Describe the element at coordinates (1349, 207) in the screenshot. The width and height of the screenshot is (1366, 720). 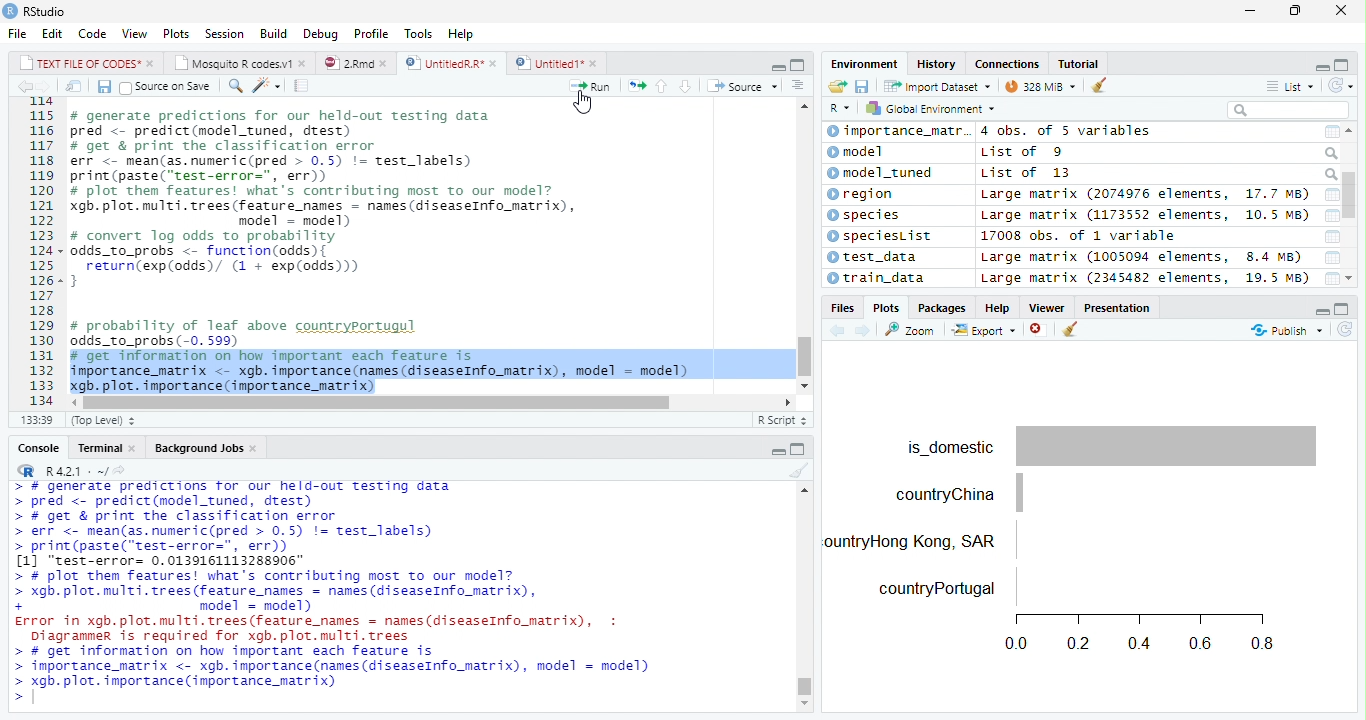
I see `Scroll` at that location.